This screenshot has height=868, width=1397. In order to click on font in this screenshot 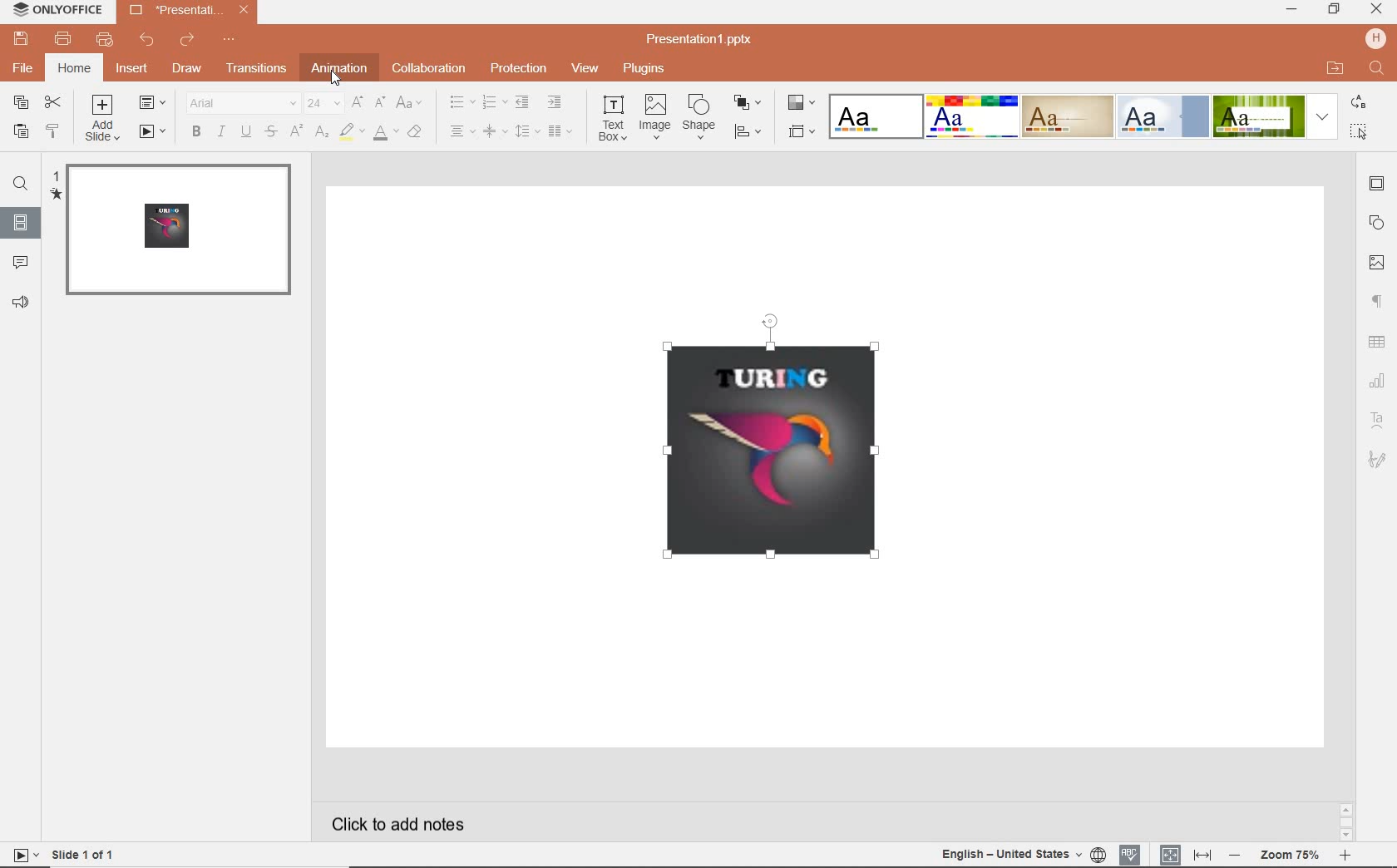, I will do `click(240, 102)`.